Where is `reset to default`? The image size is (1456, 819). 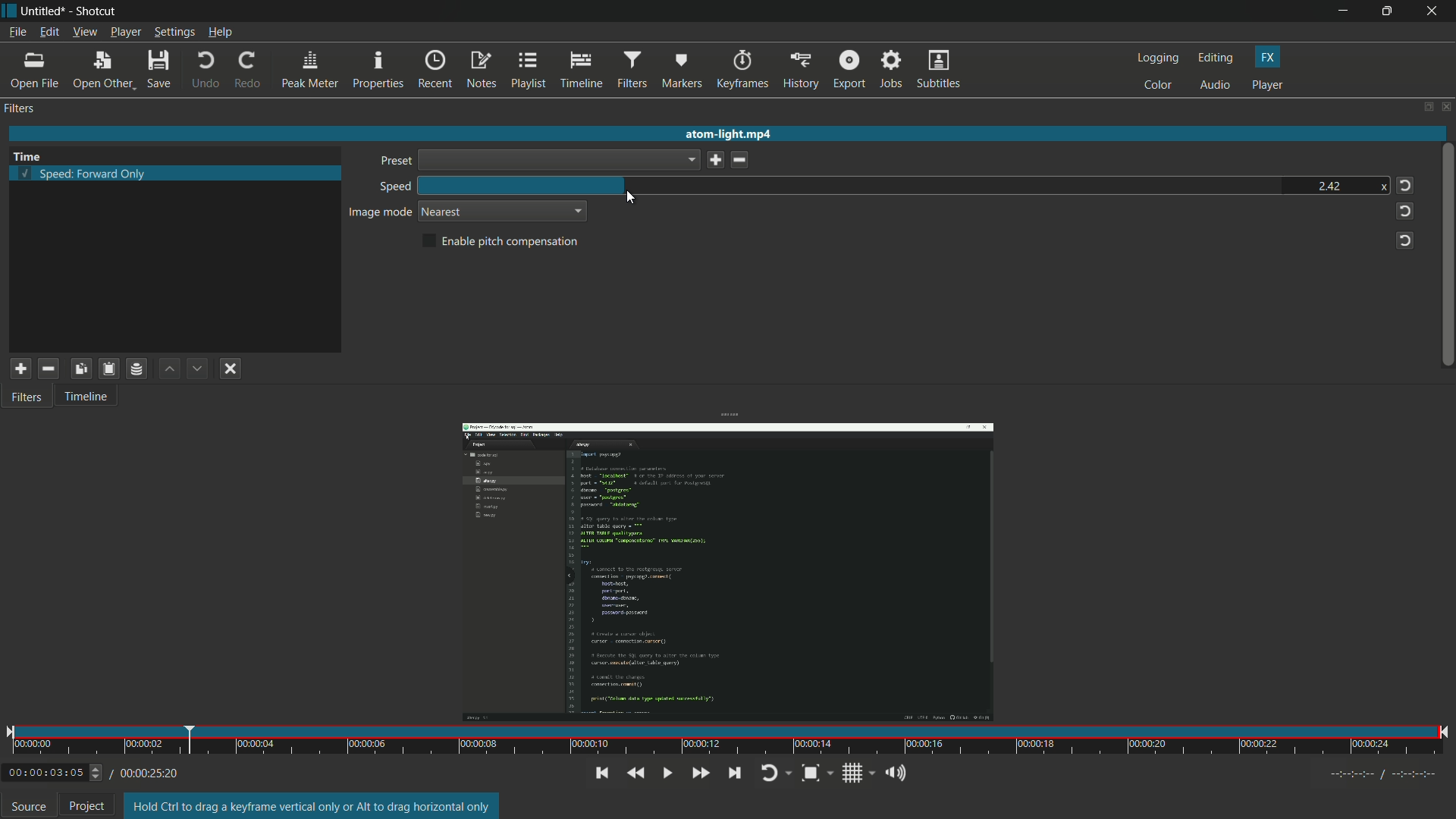 reset to default is located at coordinates (1404, 239).